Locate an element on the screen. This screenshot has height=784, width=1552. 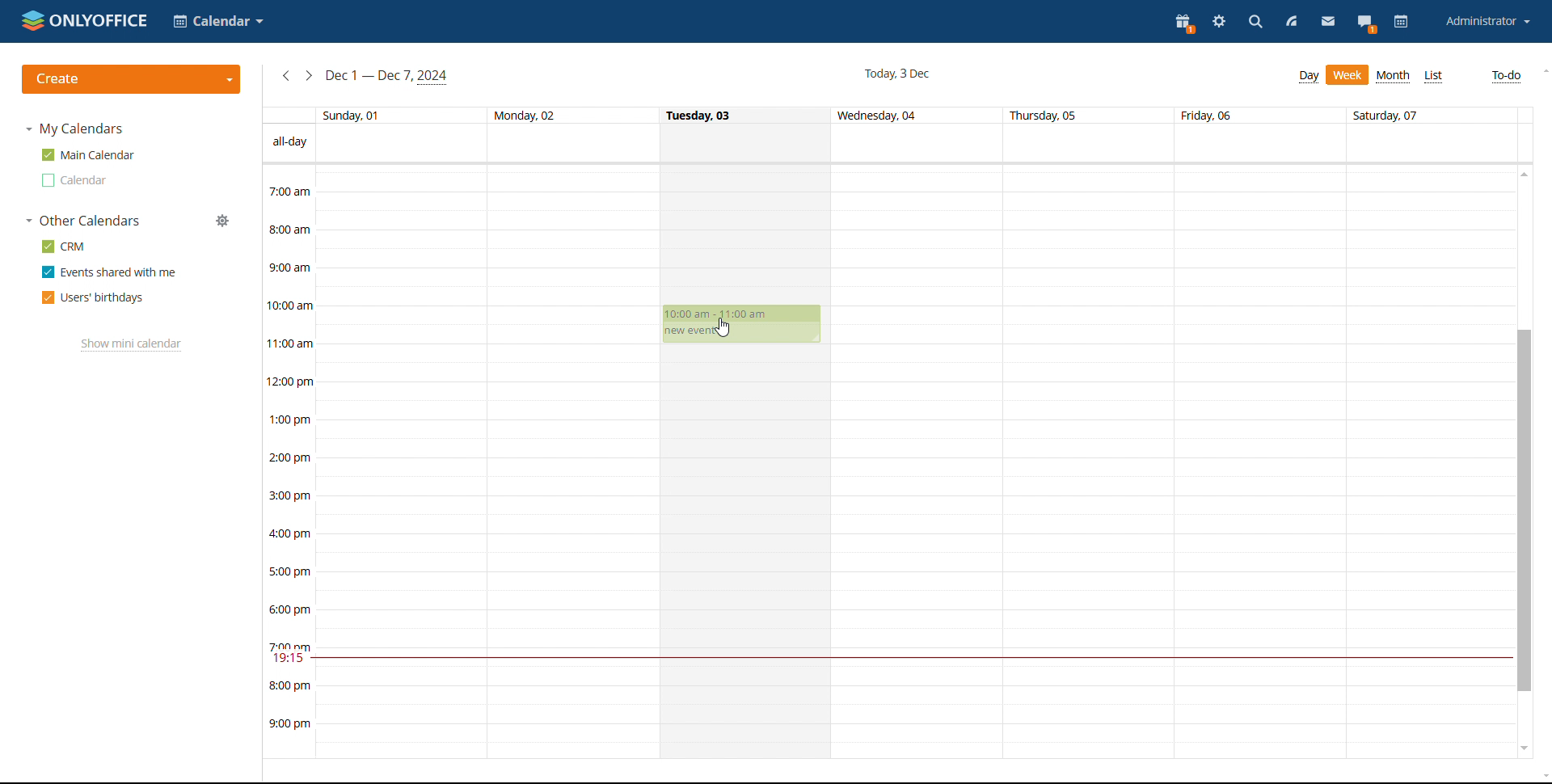
scroll down is located at coordinates (1542, 776).